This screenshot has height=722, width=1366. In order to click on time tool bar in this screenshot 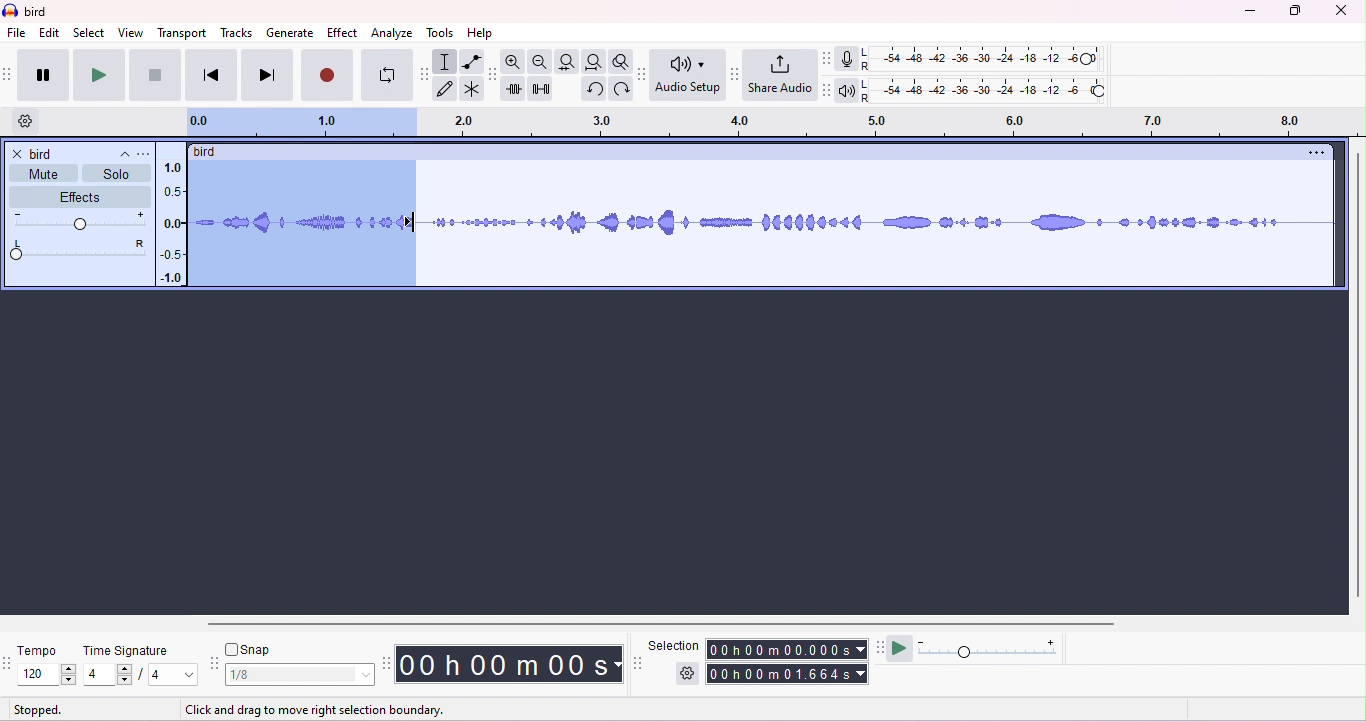, I will do `click(388, 663)`.